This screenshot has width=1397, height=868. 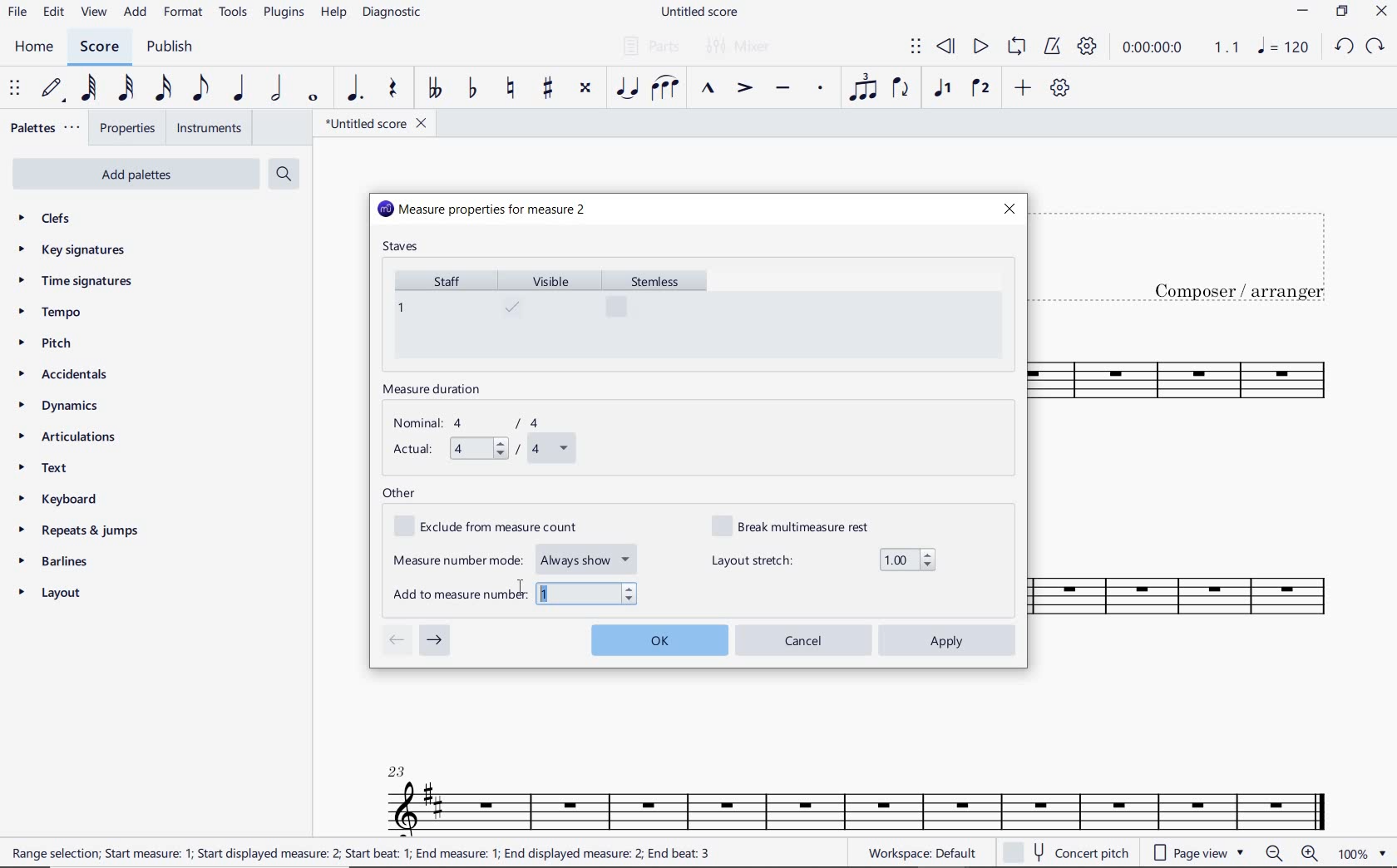 What do you see at coordinates (199, 89) in the screenshot?
I see `EIGHTH NOTE` at bounding box center [199, 89].